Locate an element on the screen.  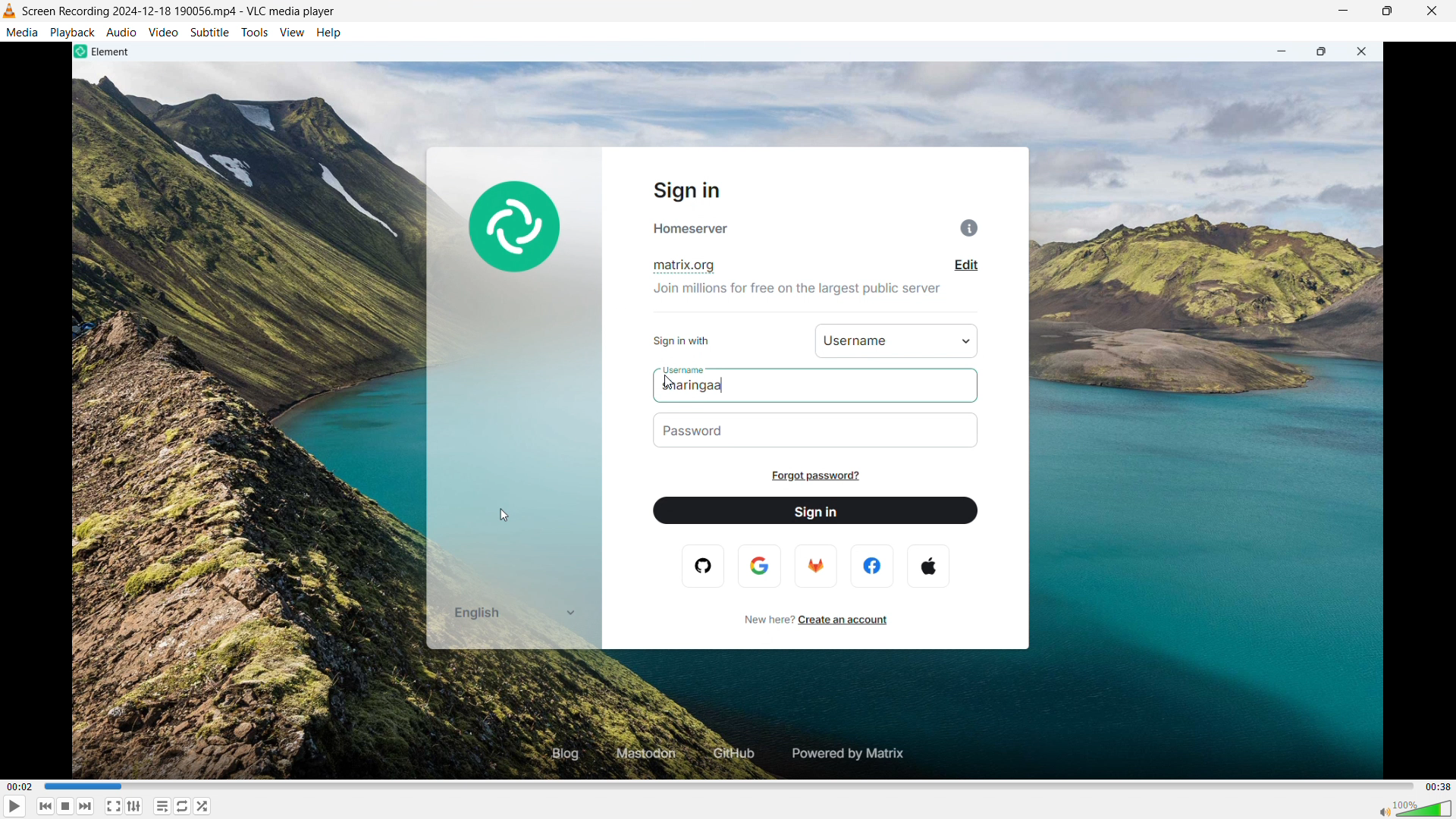
cursor is located at coordinates (668, 383).